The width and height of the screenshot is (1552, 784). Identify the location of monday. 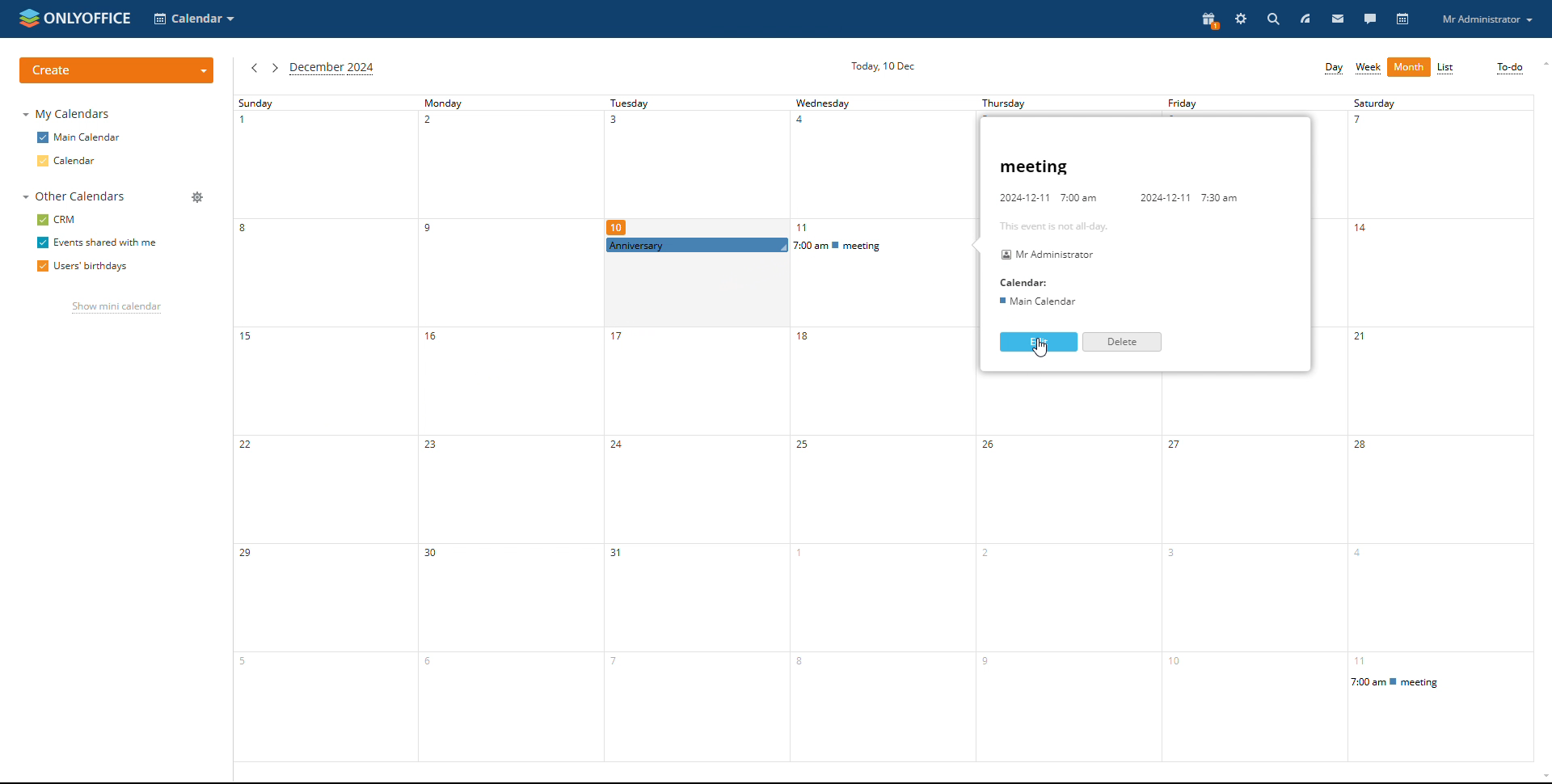
(502, 428).